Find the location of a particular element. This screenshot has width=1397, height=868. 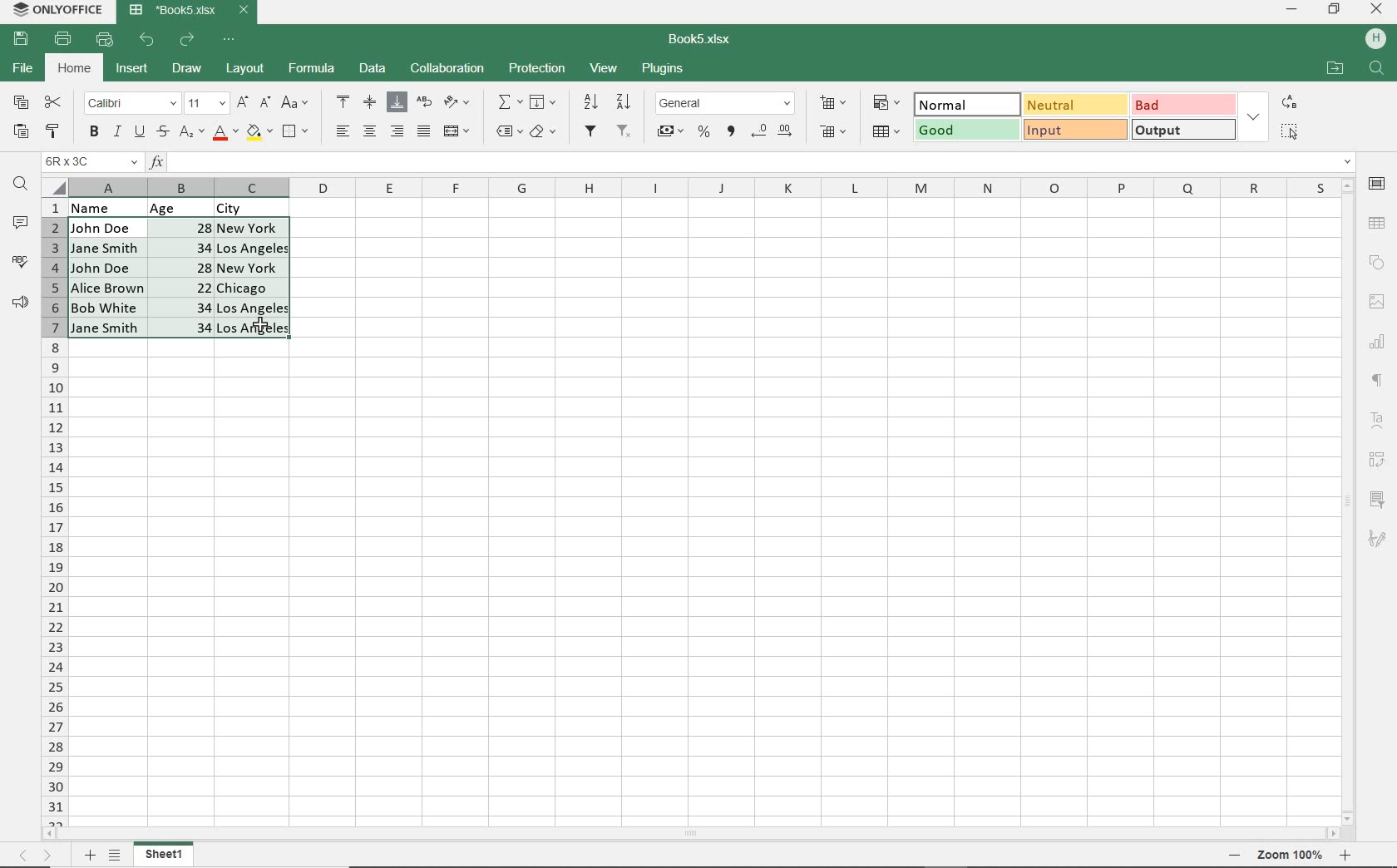

MOVE SHEETS is located at coordinates (35, 856).